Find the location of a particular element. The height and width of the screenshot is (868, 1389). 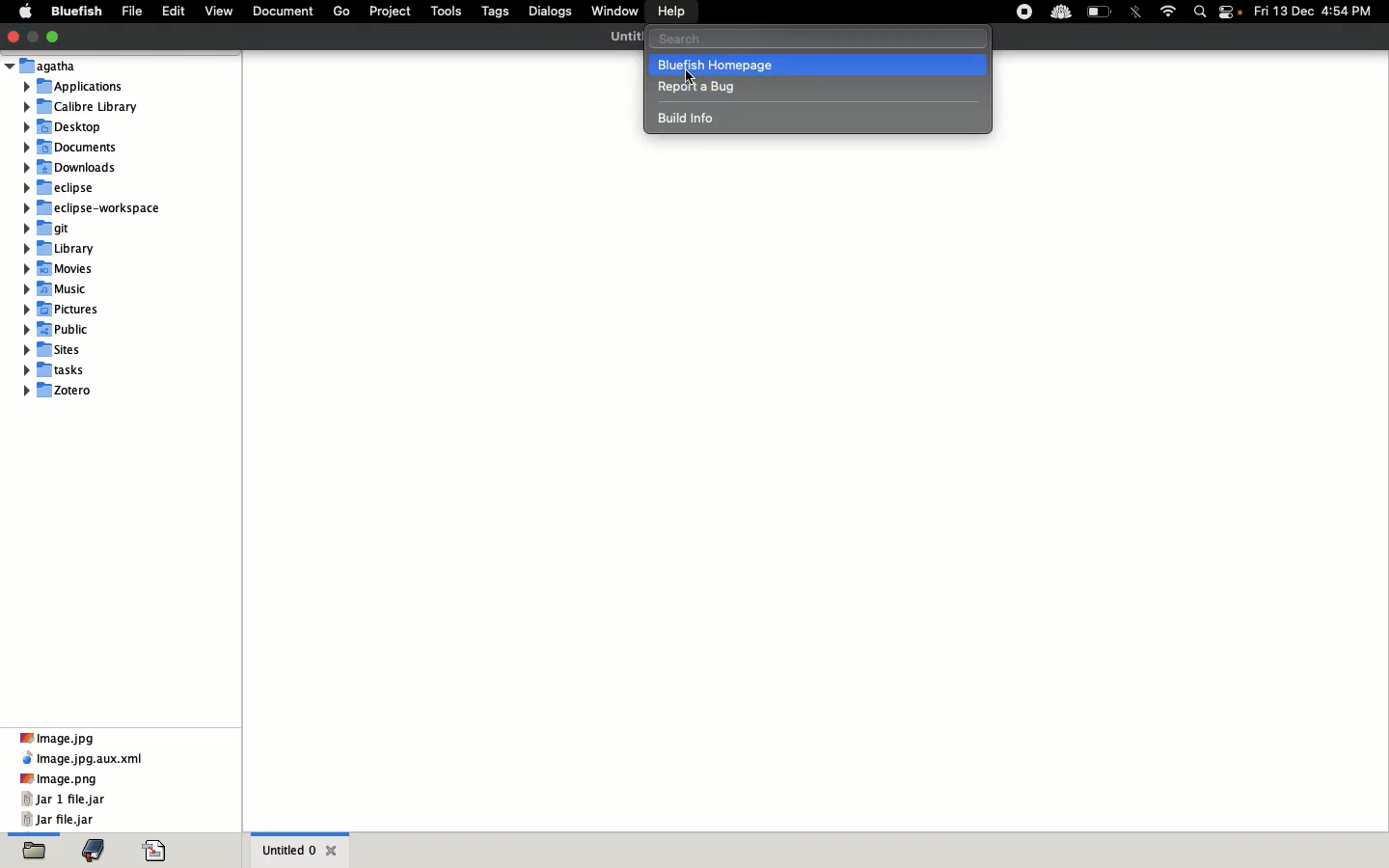

Window is located at coordinates (612, 11).